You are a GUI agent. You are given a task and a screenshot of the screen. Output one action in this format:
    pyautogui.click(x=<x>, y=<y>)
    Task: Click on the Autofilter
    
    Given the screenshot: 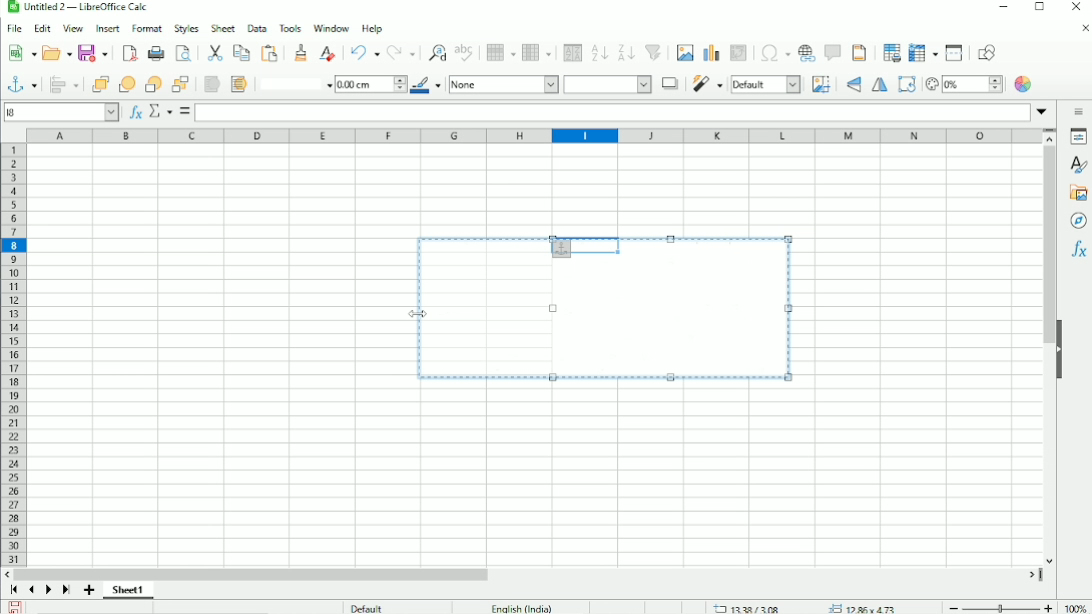 What is the action you would take?
    pyautogui.click(x=654, y=53)
    